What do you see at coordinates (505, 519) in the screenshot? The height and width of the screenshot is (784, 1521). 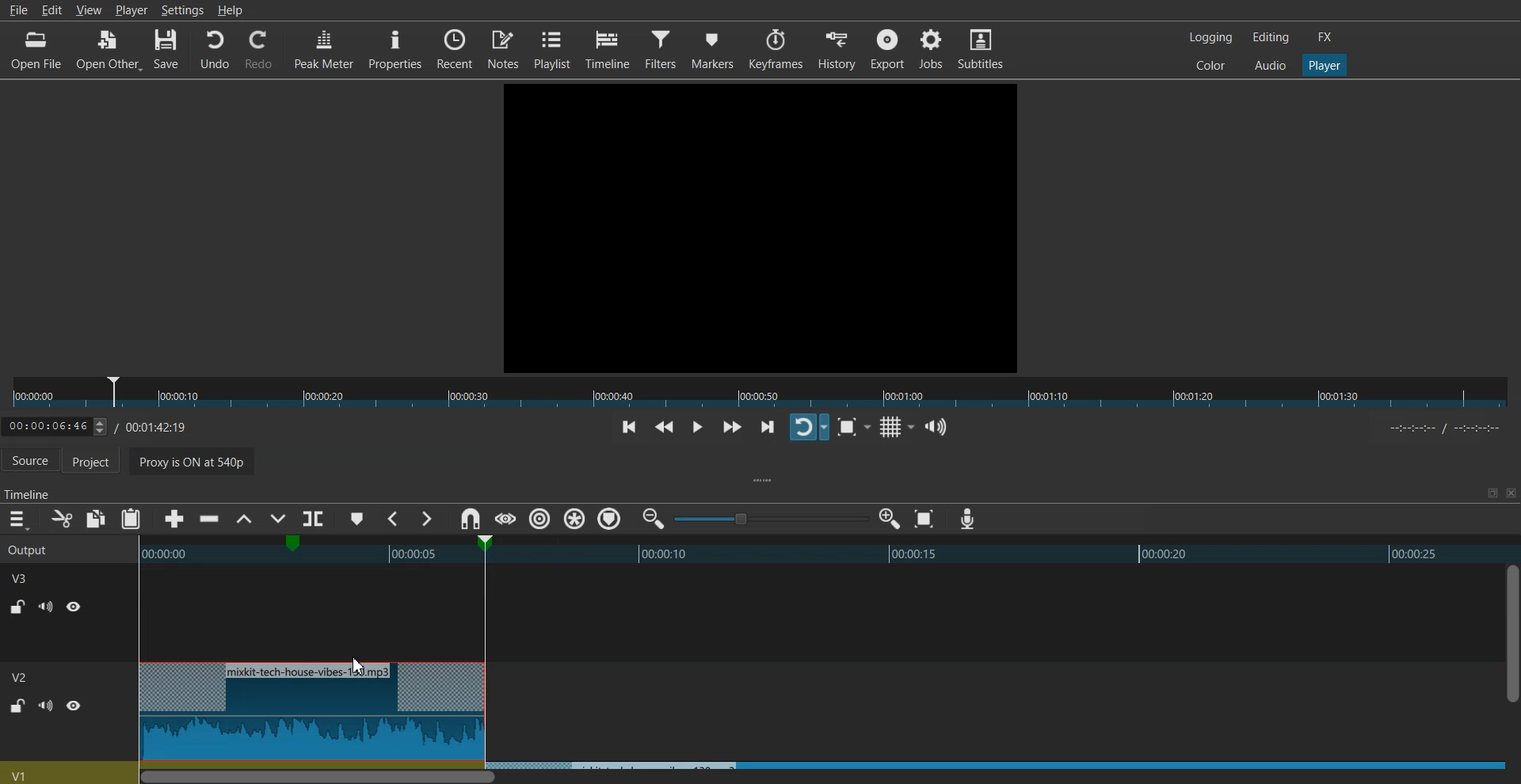 I see `Scrub while dragging` at bounding box center [505, 519].